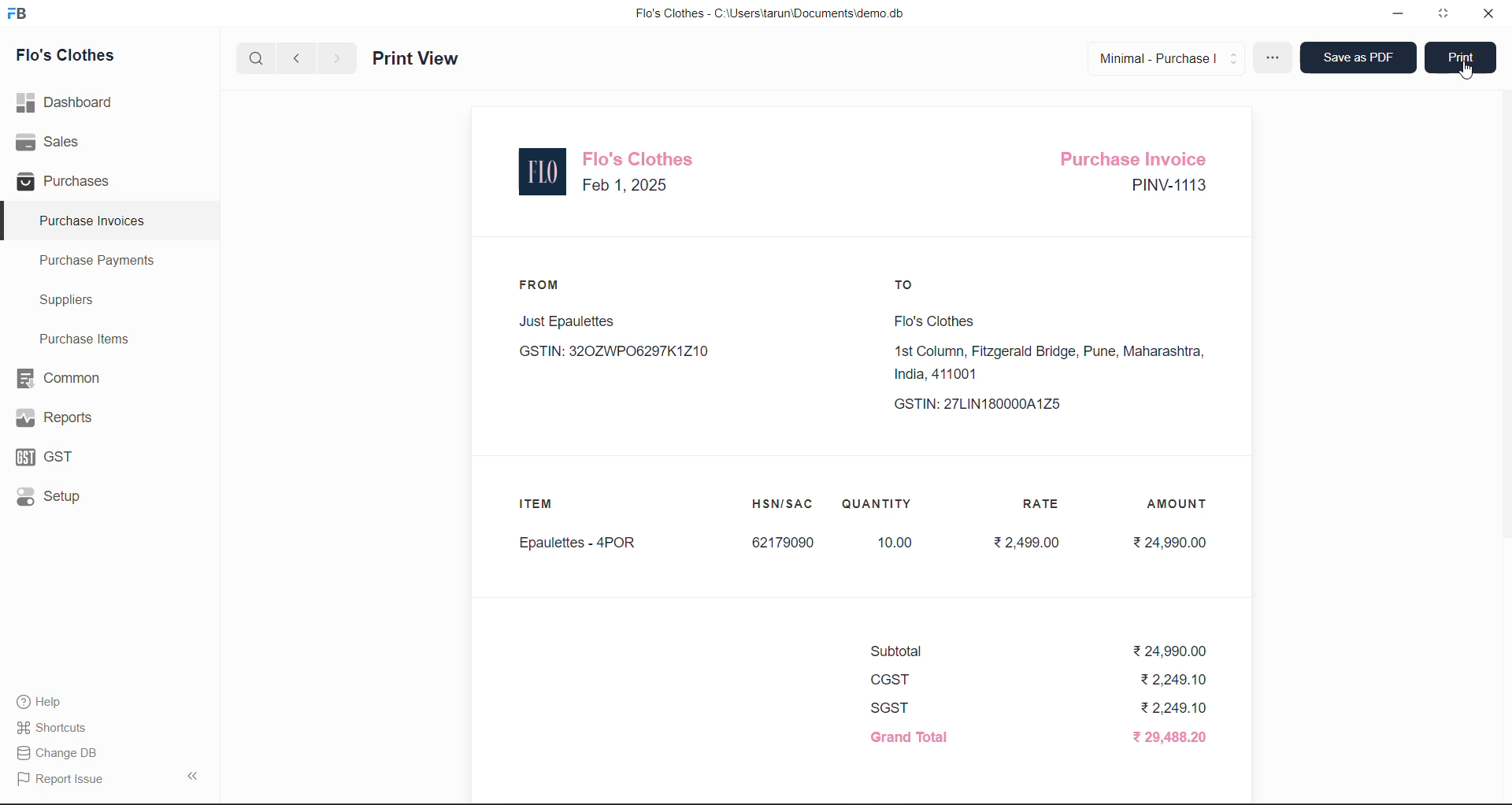  Describe the element at coordinates (57, 498) in the screenshot. I see `Setup` at that location.